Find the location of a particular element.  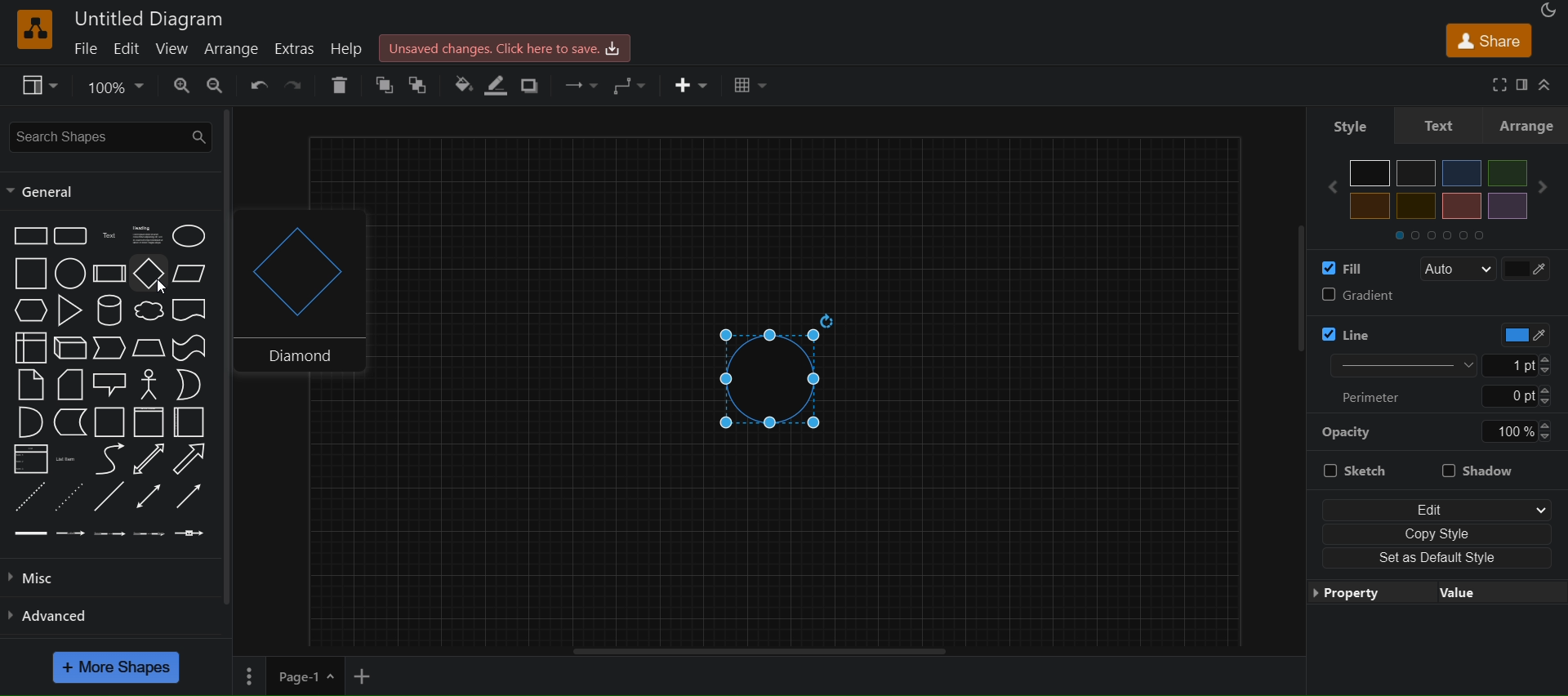

insert is located at coordinates (692, 86).